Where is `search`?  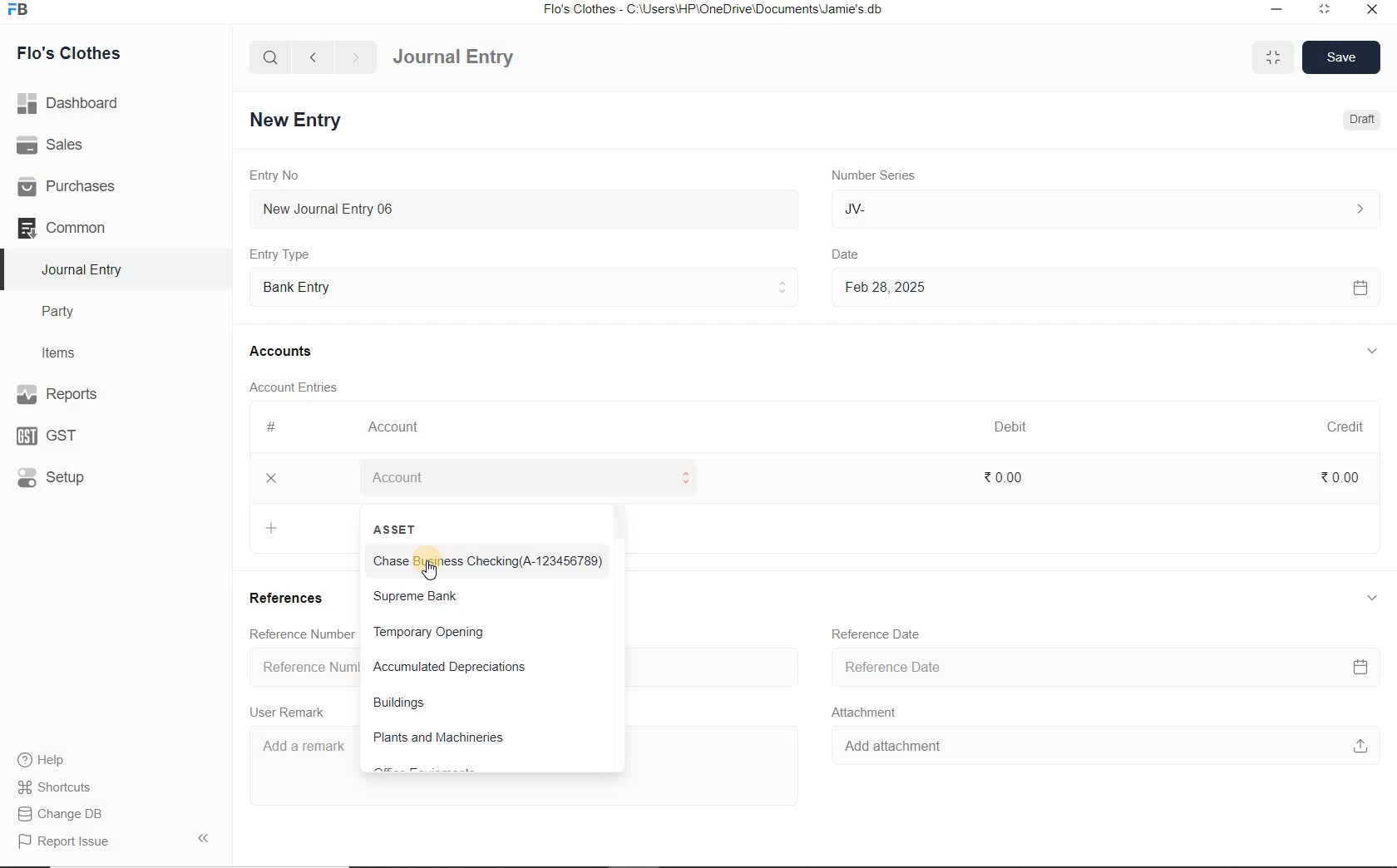 search is located at coordinates (271, 57).